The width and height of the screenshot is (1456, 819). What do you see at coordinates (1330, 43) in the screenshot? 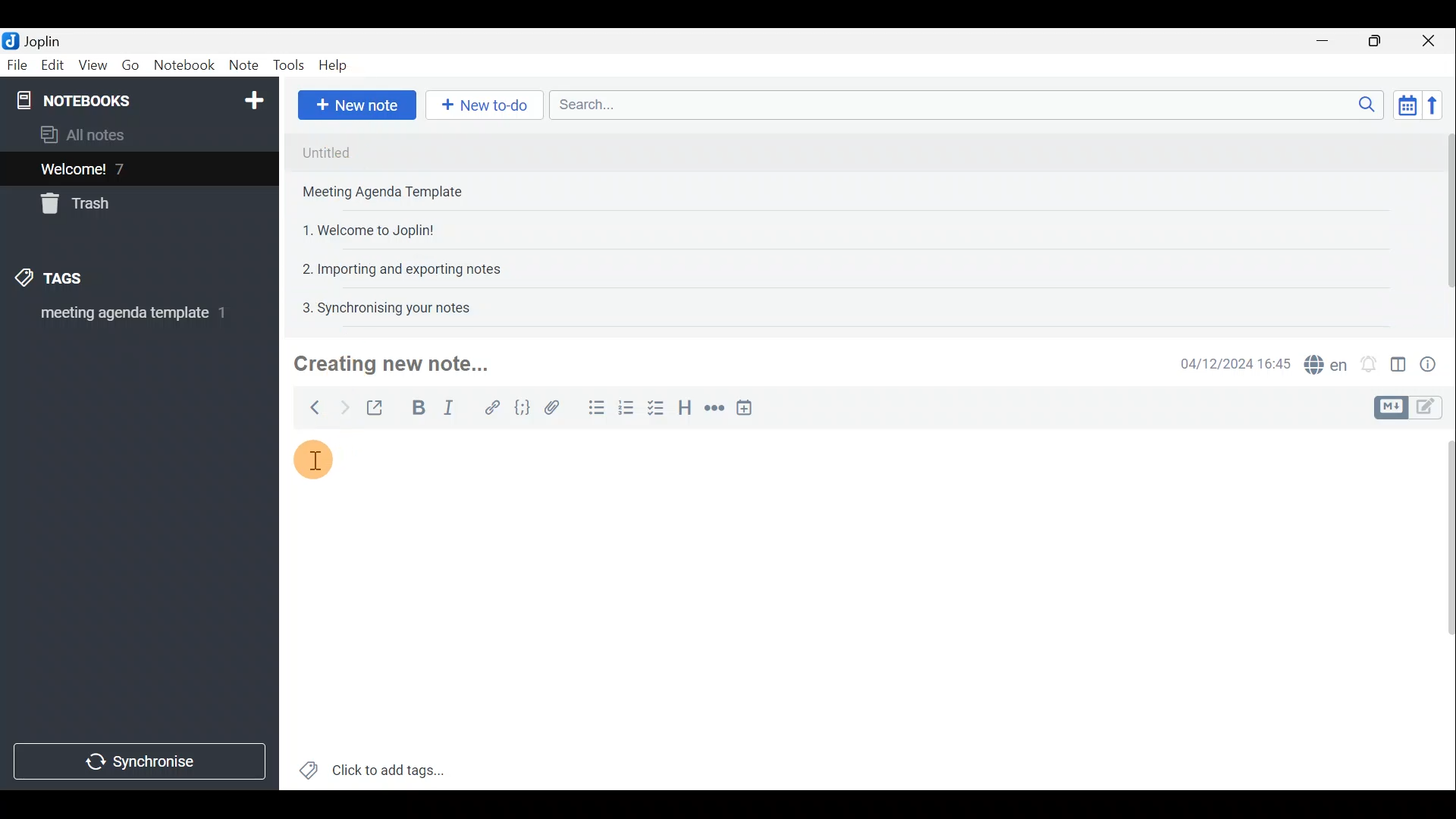
I see `Minimise` at bounding box center [1330, 43].